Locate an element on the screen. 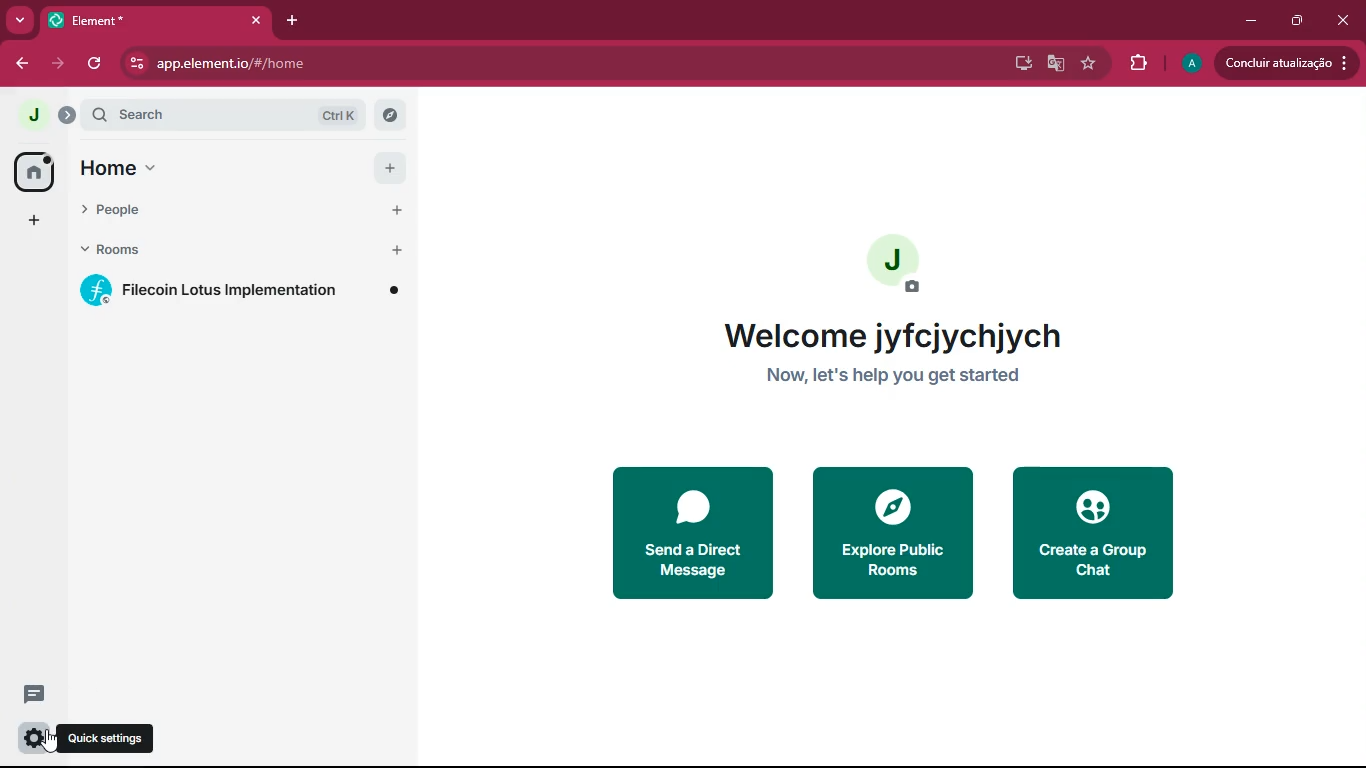  filecoin lotus implementation  is located at coordinates (243, 291).